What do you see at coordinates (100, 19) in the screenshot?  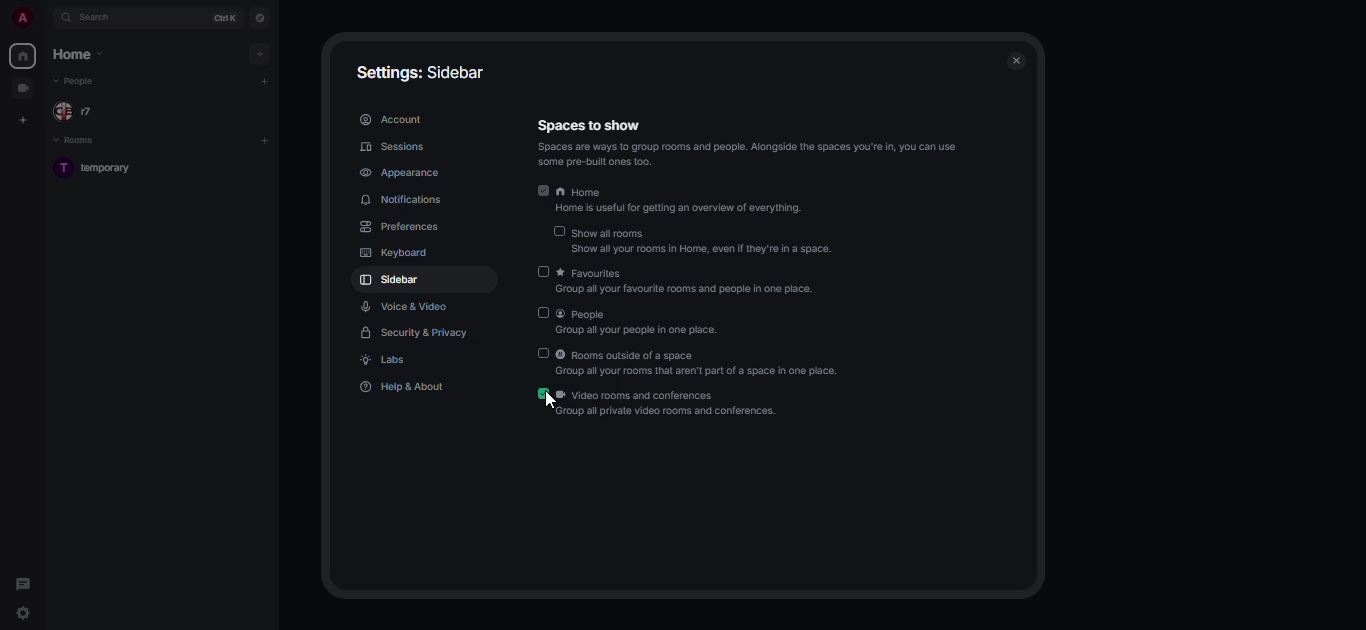 I see `search` at bounding box center [100, 19].